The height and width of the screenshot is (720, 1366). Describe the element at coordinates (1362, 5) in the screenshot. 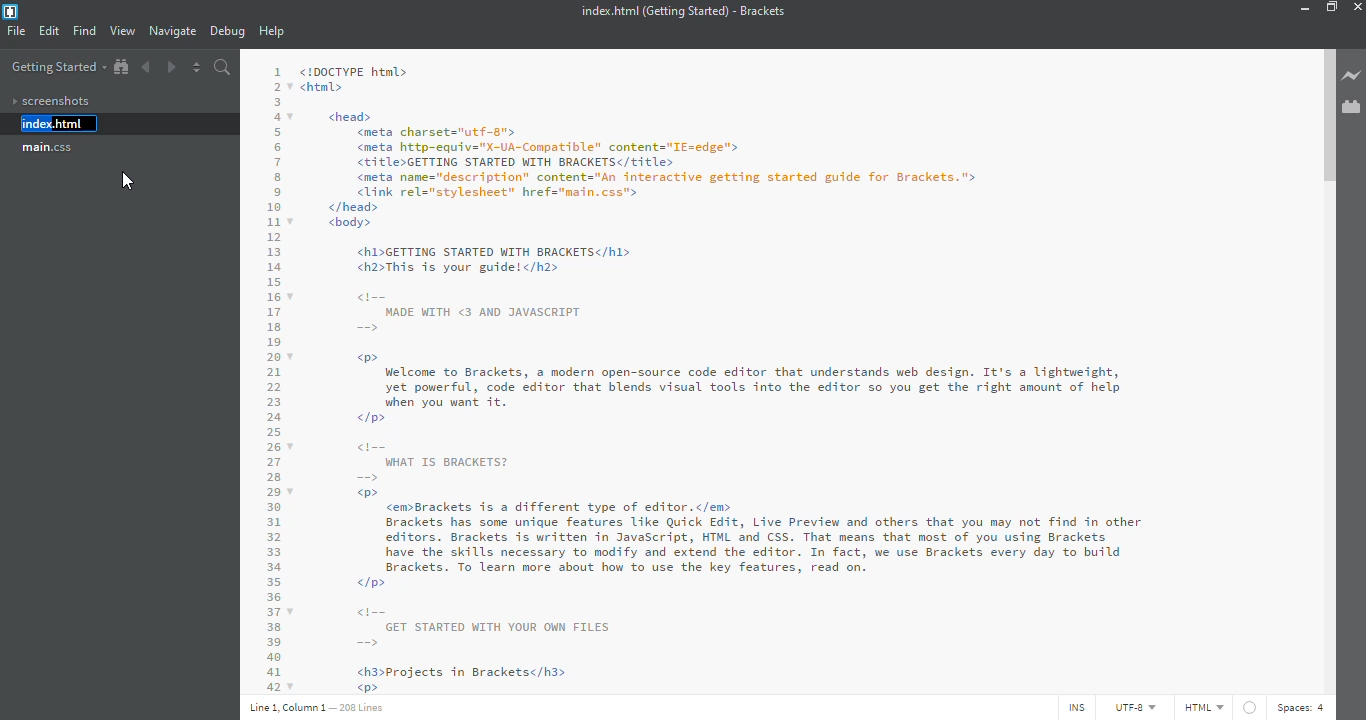

I see `close` at that location.